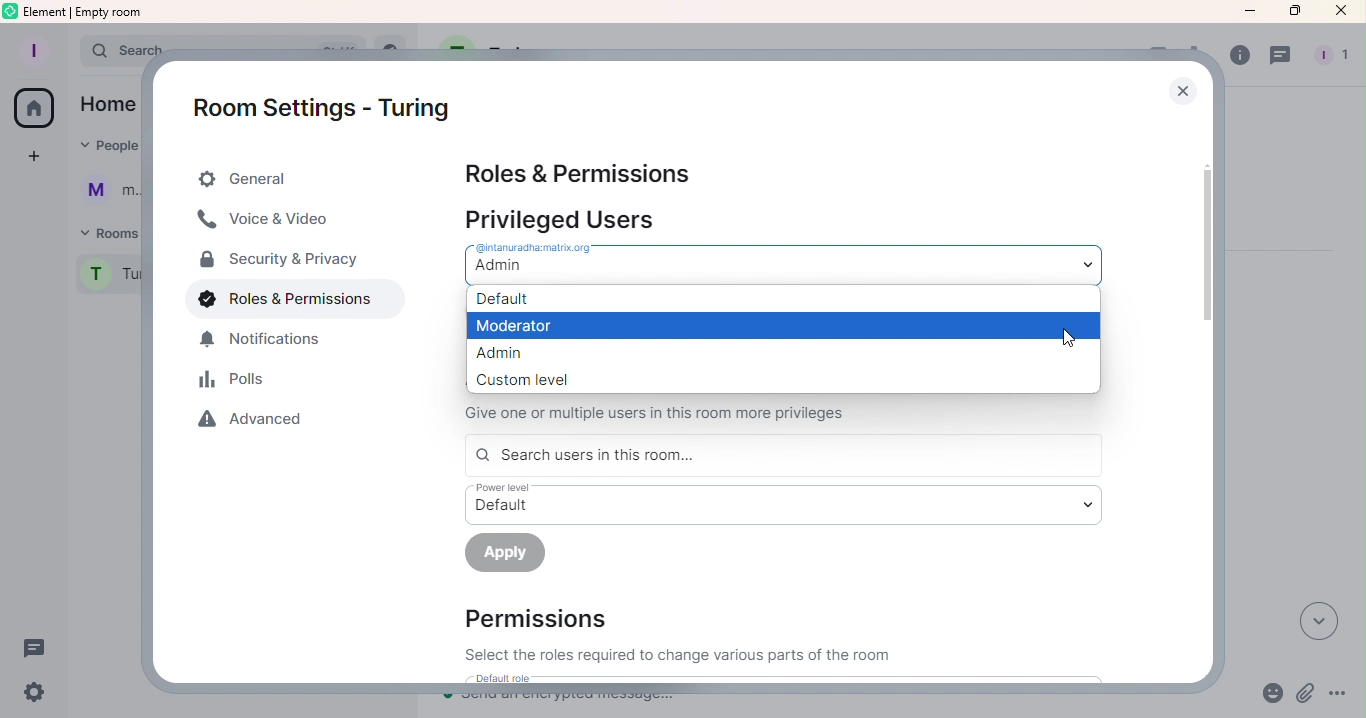 The image size is (1366, 718). Describe the element at coordinates (112, 105) in the screenshot. I see `home` at that location.